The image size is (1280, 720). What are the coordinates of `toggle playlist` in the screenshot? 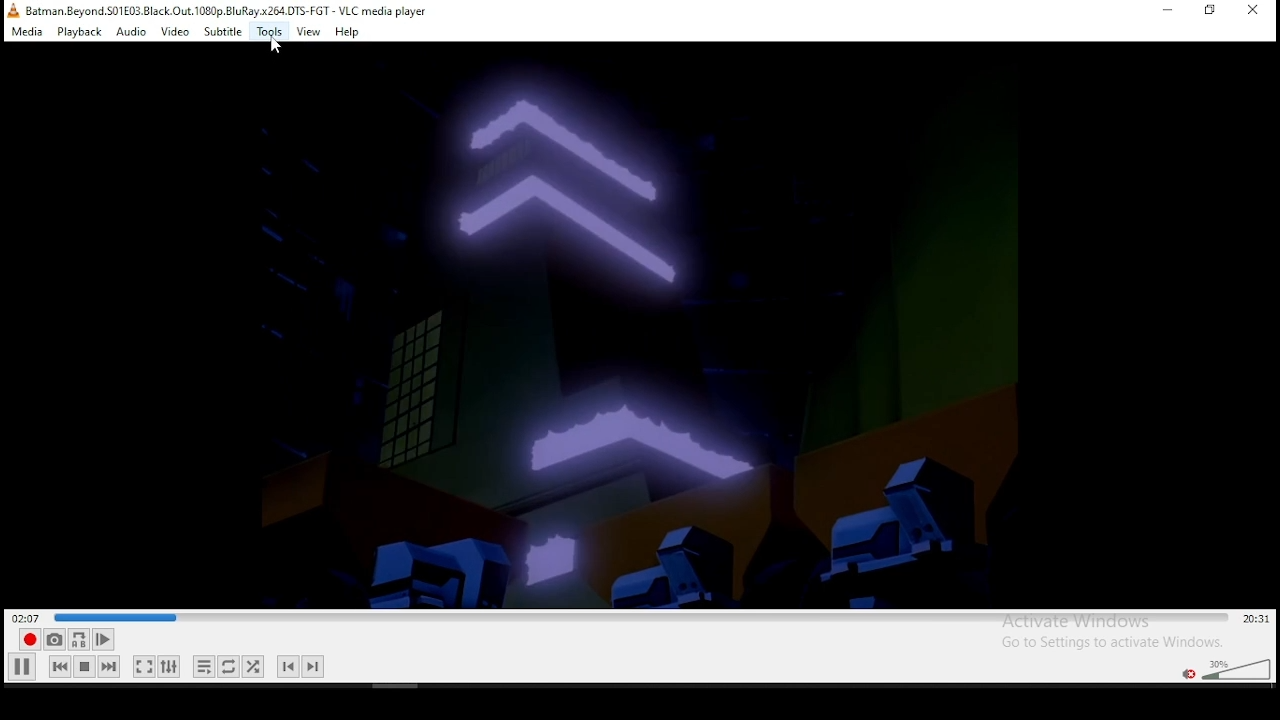 It's located at (204, 666).